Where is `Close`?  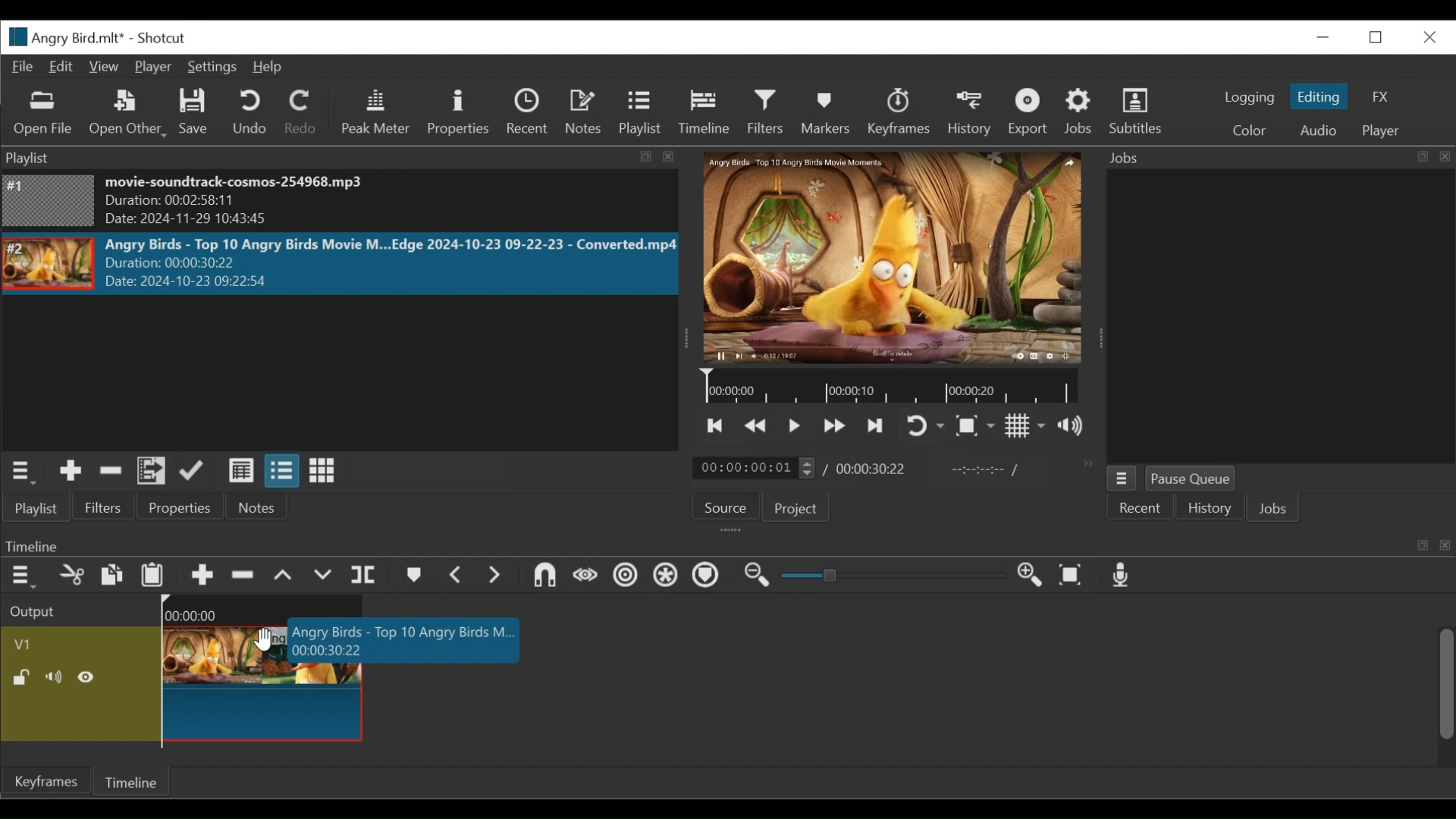
Close is located at coordinates (1429, 35).